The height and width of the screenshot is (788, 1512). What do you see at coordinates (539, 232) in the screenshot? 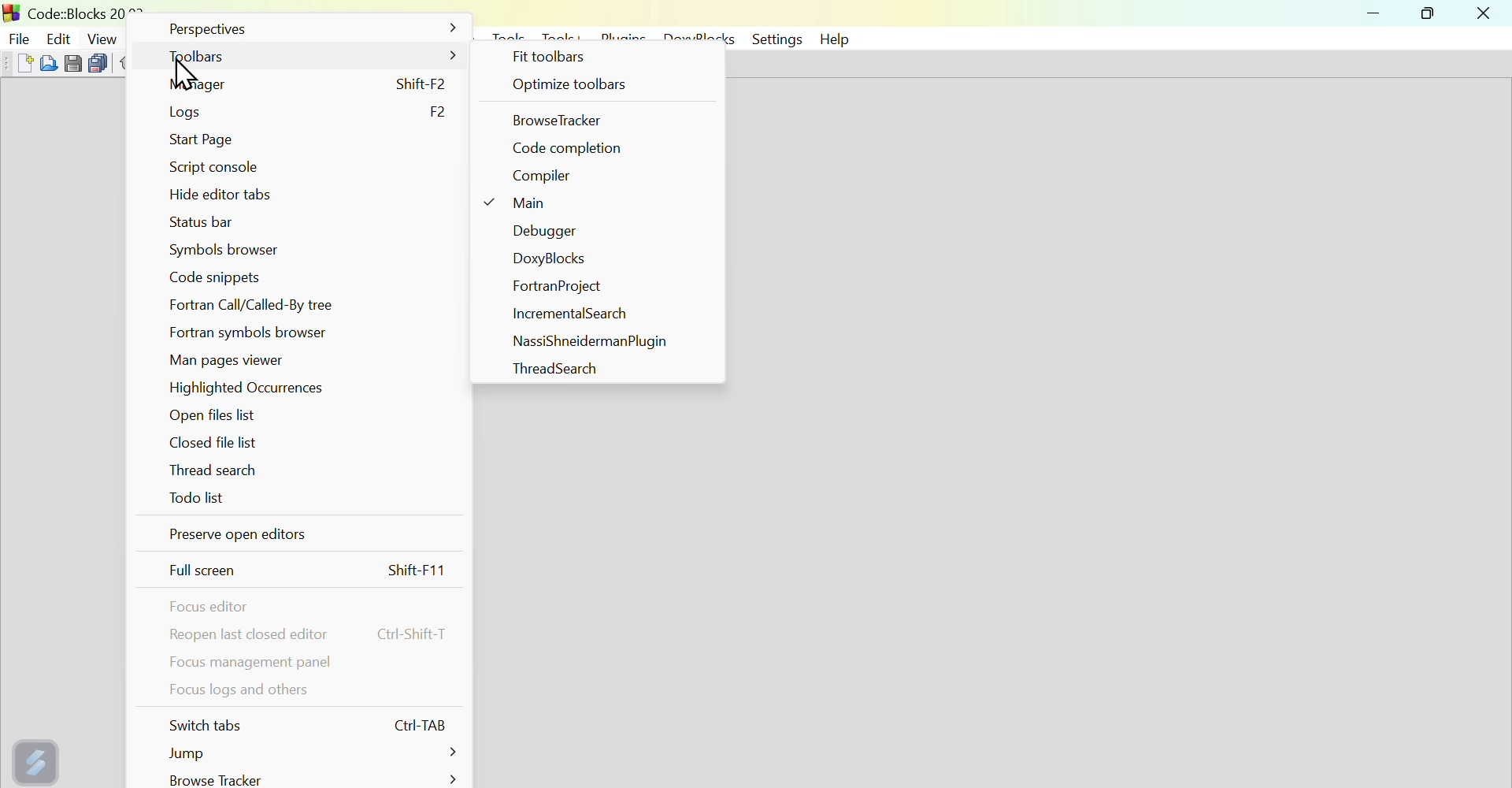
I see `debugger` at bounding box center [539, 232].